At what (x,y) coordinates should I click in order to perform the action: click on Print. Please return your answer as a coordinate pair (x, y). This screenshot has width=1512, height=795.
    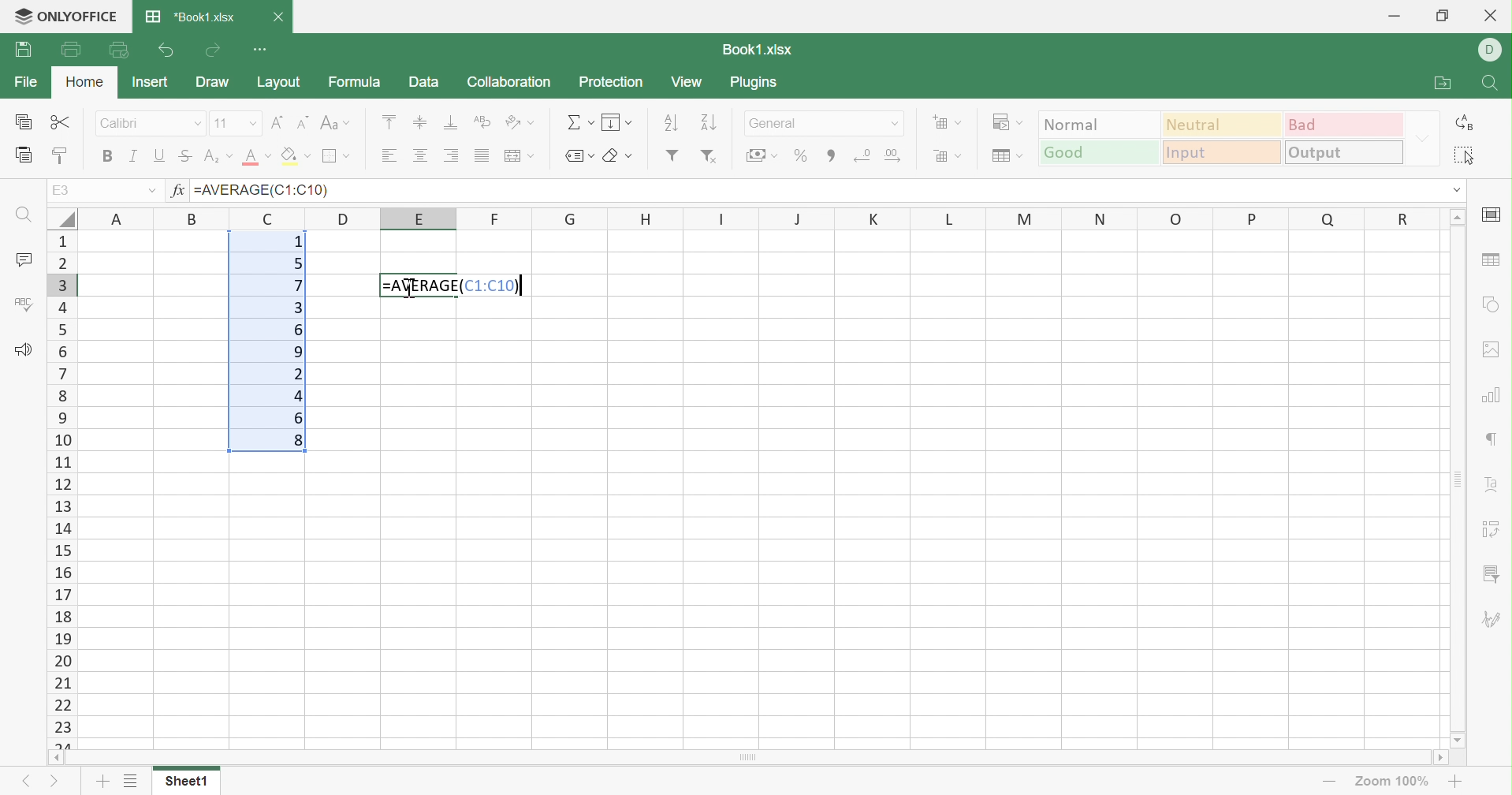
    Looking at the image, I should click on (20, 52).